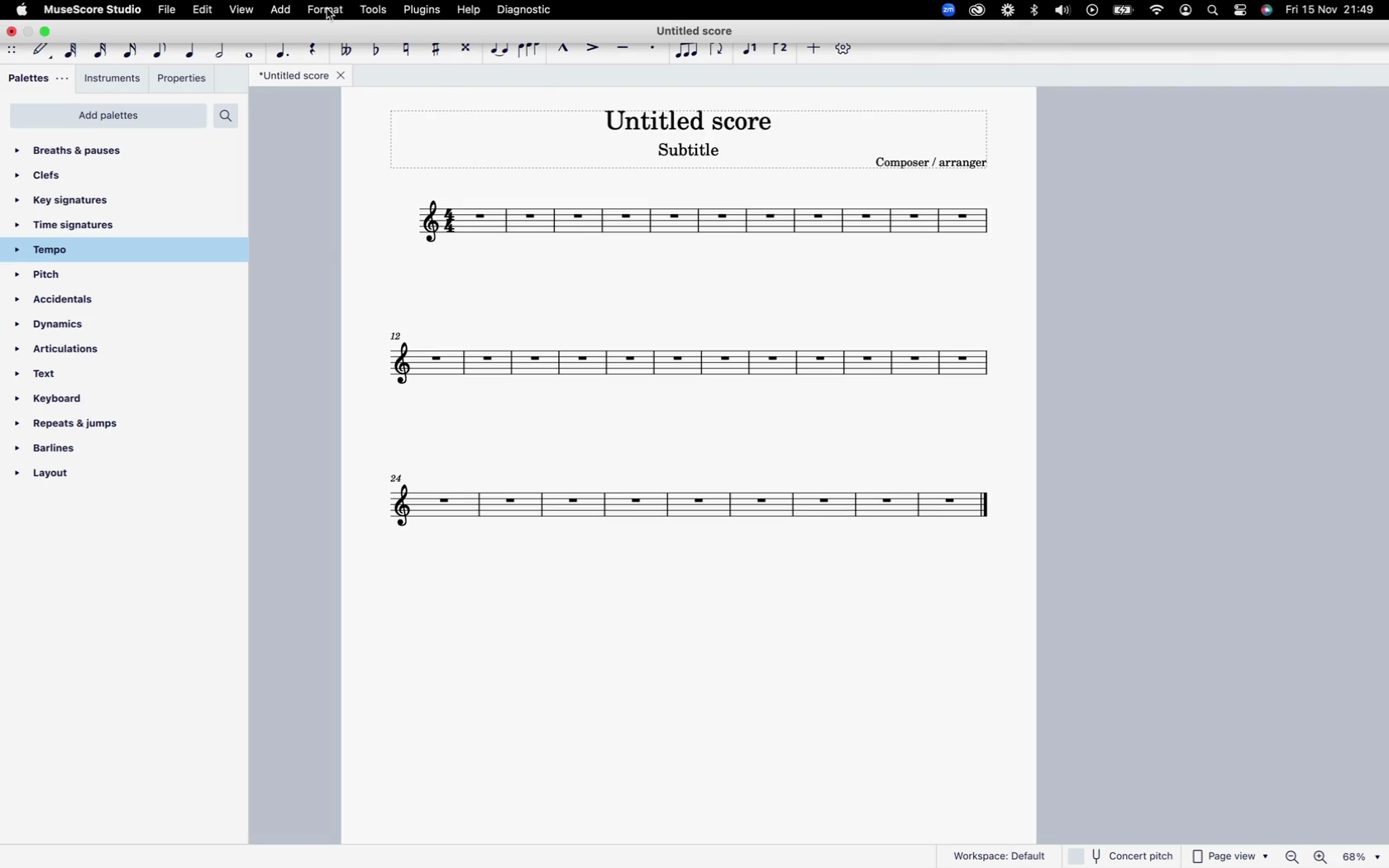 This screenshot has height=868, width=1389. Describe the element at coordinates (79, 478) in the screenshot. I see `layout` at that location.